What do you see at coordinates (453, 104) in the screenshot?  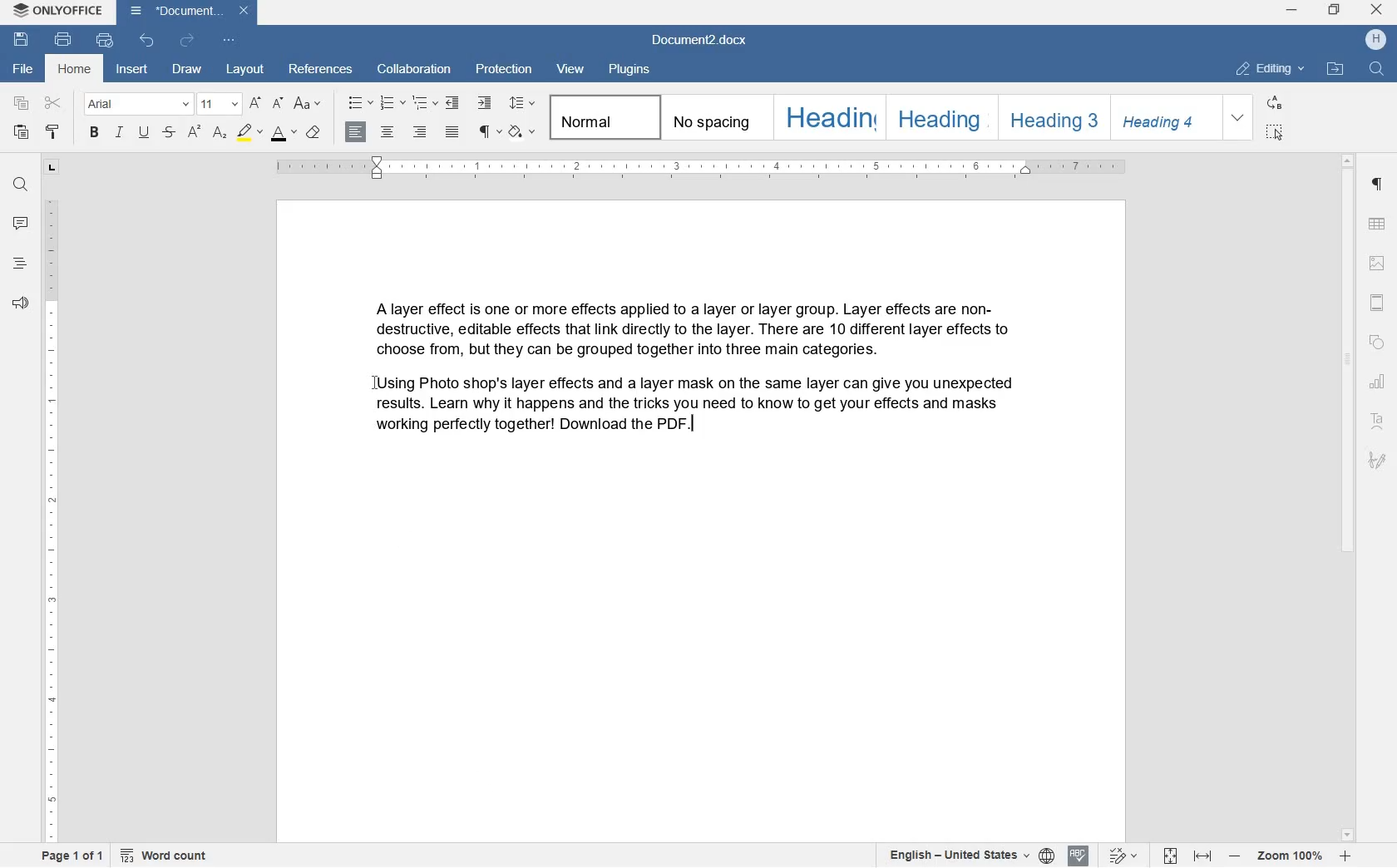 I see `DECREASE INDENT` at bounding box center [453, 104].